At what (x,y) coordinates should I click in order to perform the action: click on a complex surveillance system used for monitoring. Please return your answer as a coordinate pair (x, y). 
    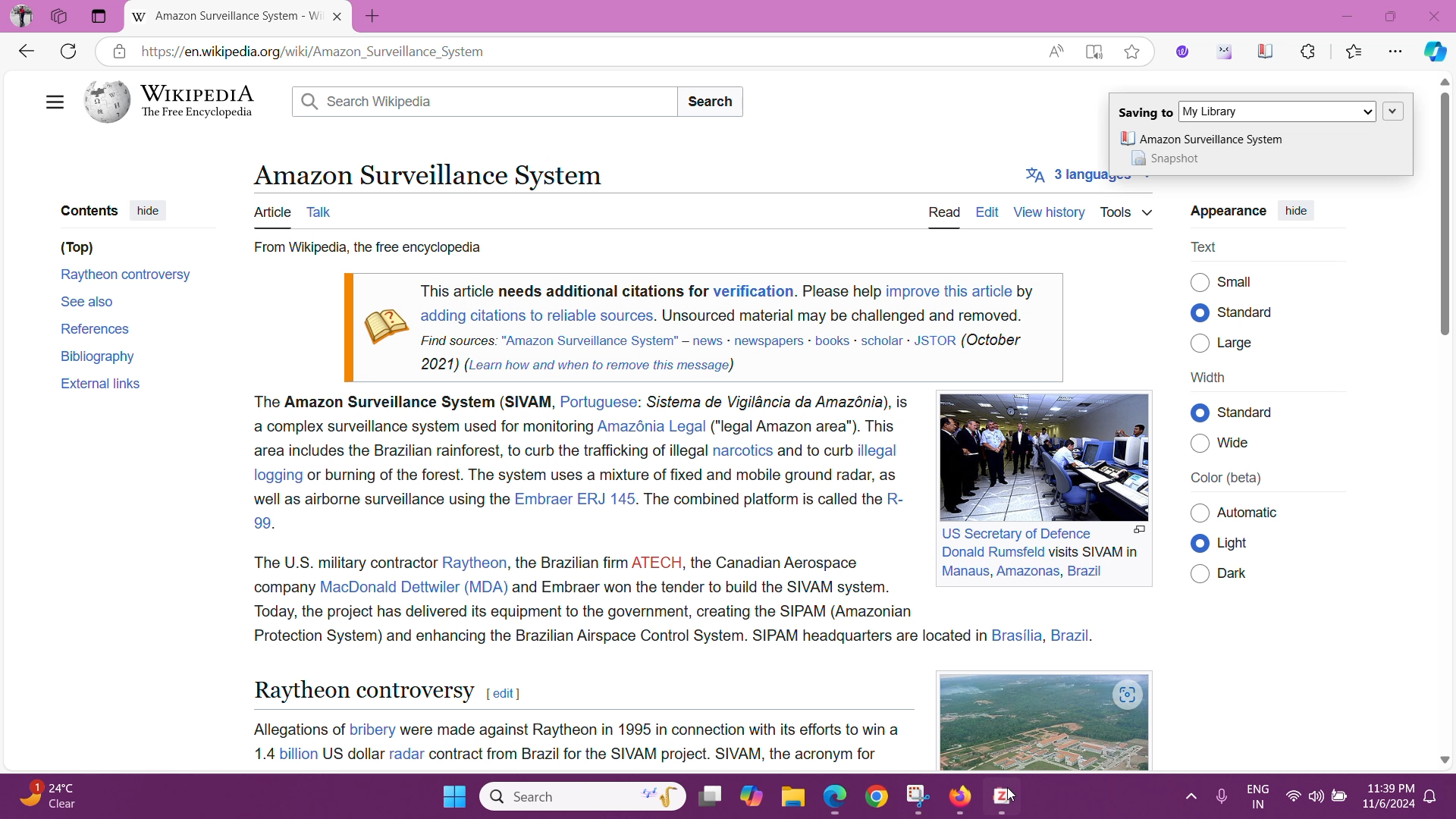
    Looking at the image, I should click on (419, 427).